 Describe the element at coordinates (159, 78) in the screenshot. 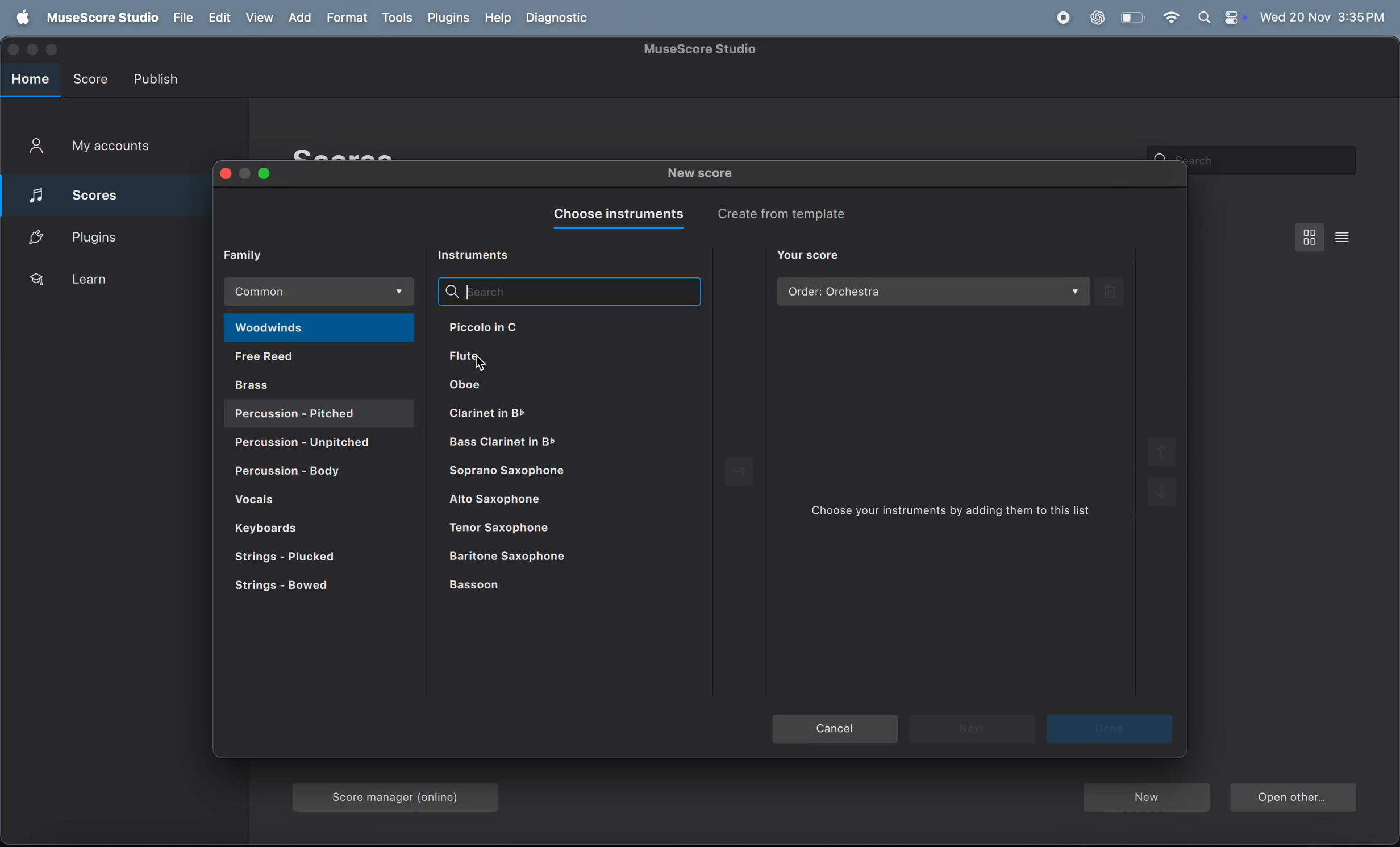

I see `publish` at that location.